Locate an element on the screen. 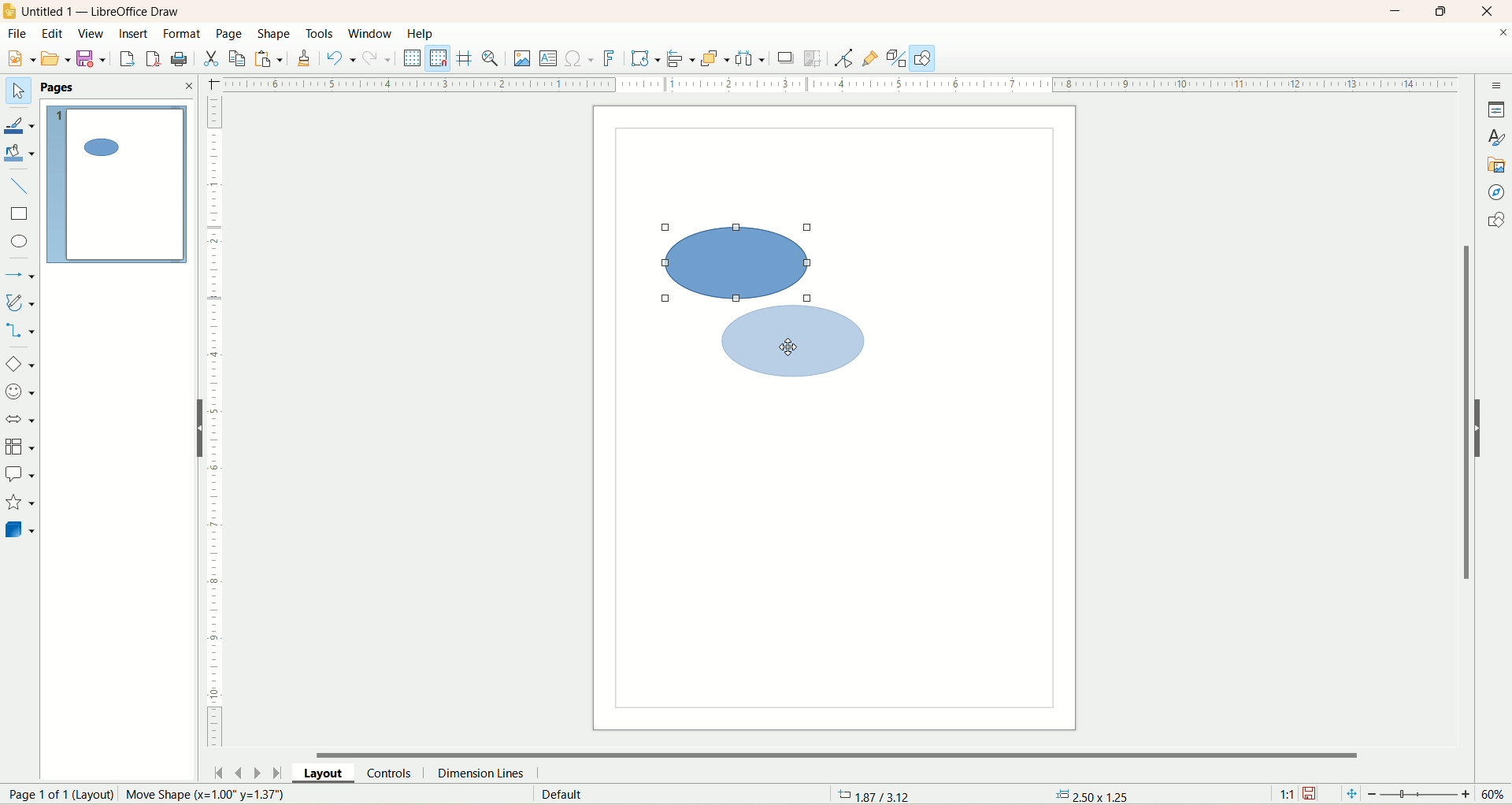 The width and height of the screenshot is (1512, 805). redo is located at coordinates (380, 60).